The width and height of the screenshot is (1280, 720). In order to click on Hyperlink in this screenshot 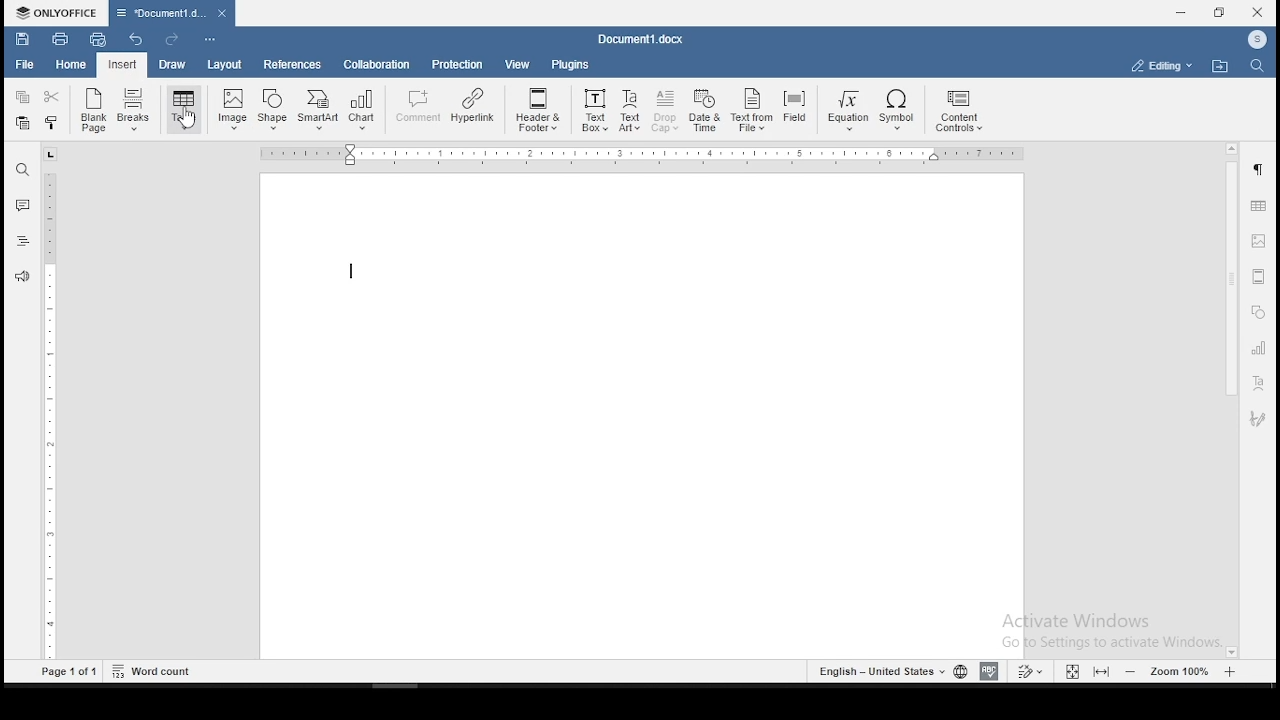, I will do `click(473, 106)`.